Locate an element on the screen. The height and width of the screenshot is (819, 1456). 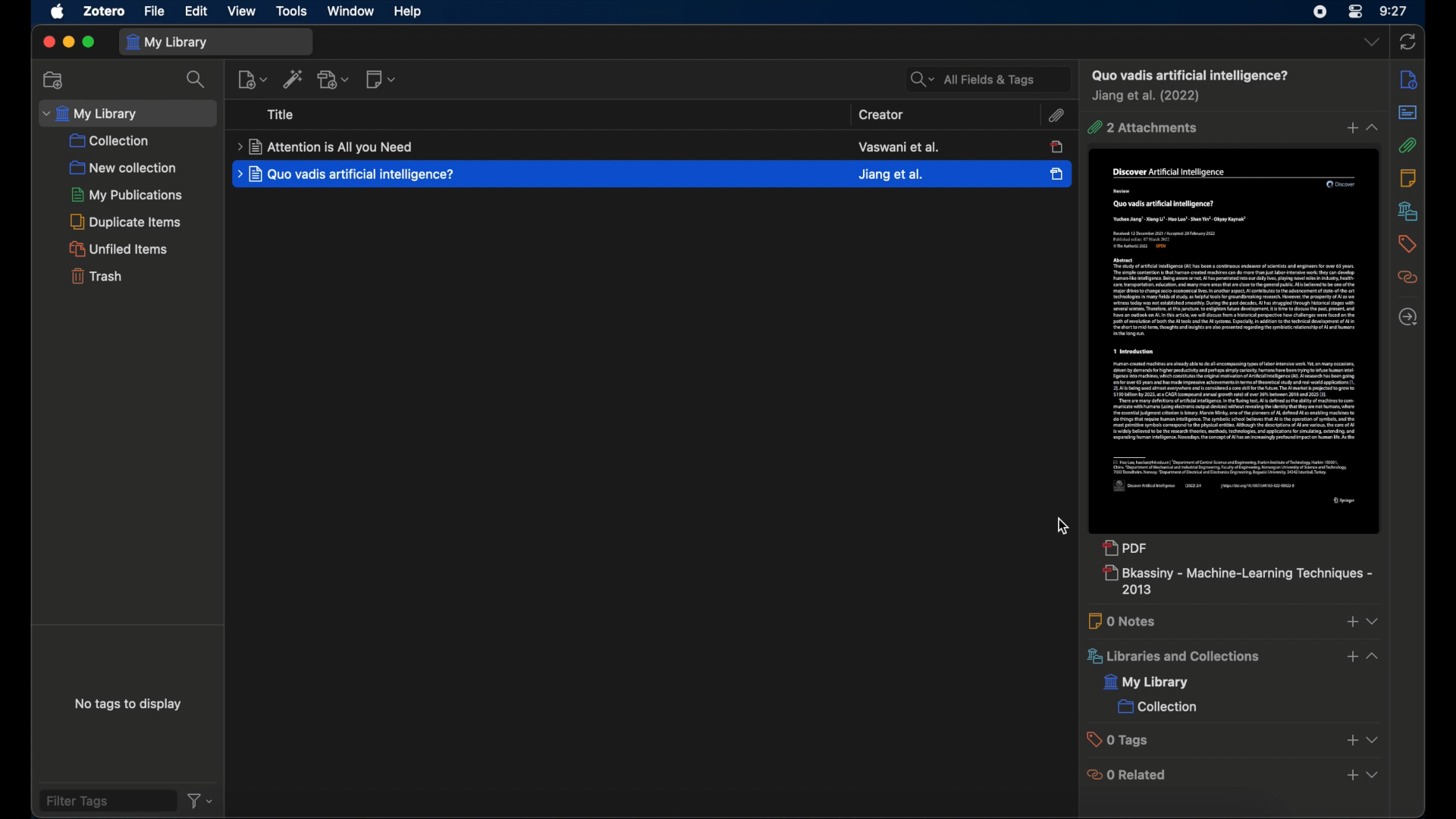
new item is located at coordinates (252, 78).